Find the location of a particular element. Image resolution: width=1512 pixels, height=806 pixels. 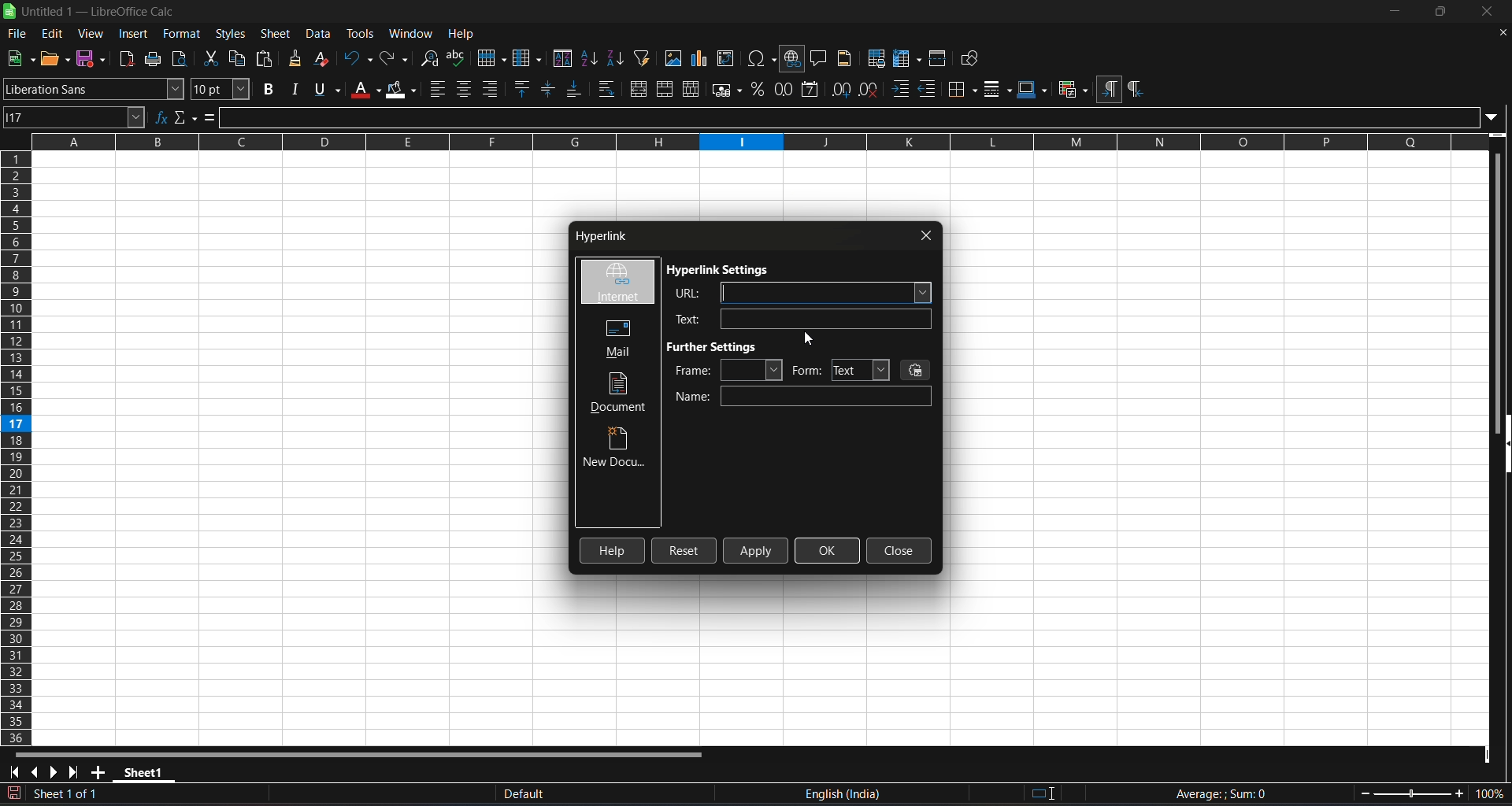

left to right is located at coordinates (1109, 88).